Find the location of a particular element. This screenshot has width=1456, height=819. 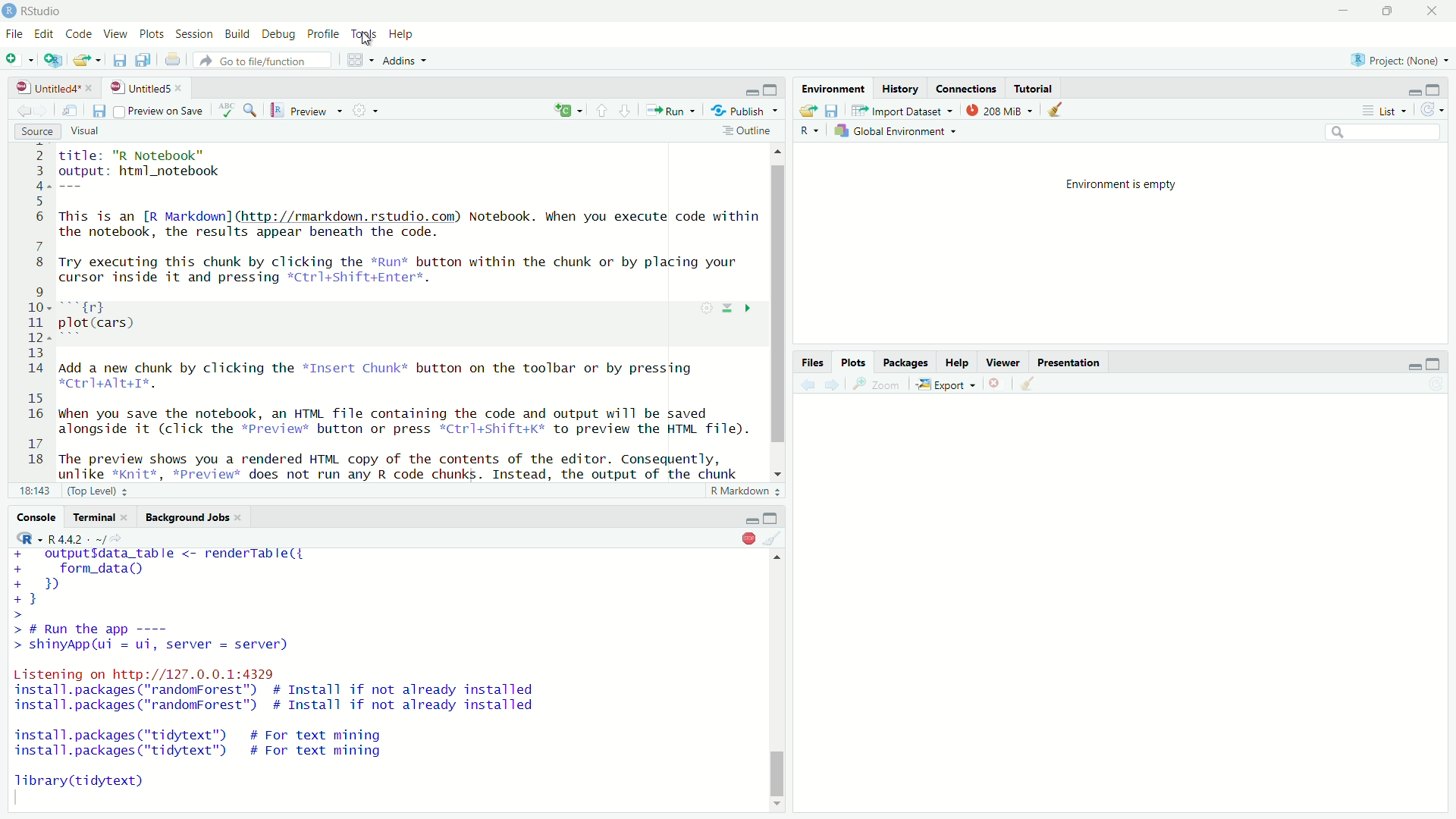

Toys is located at coordinates (363, 35).